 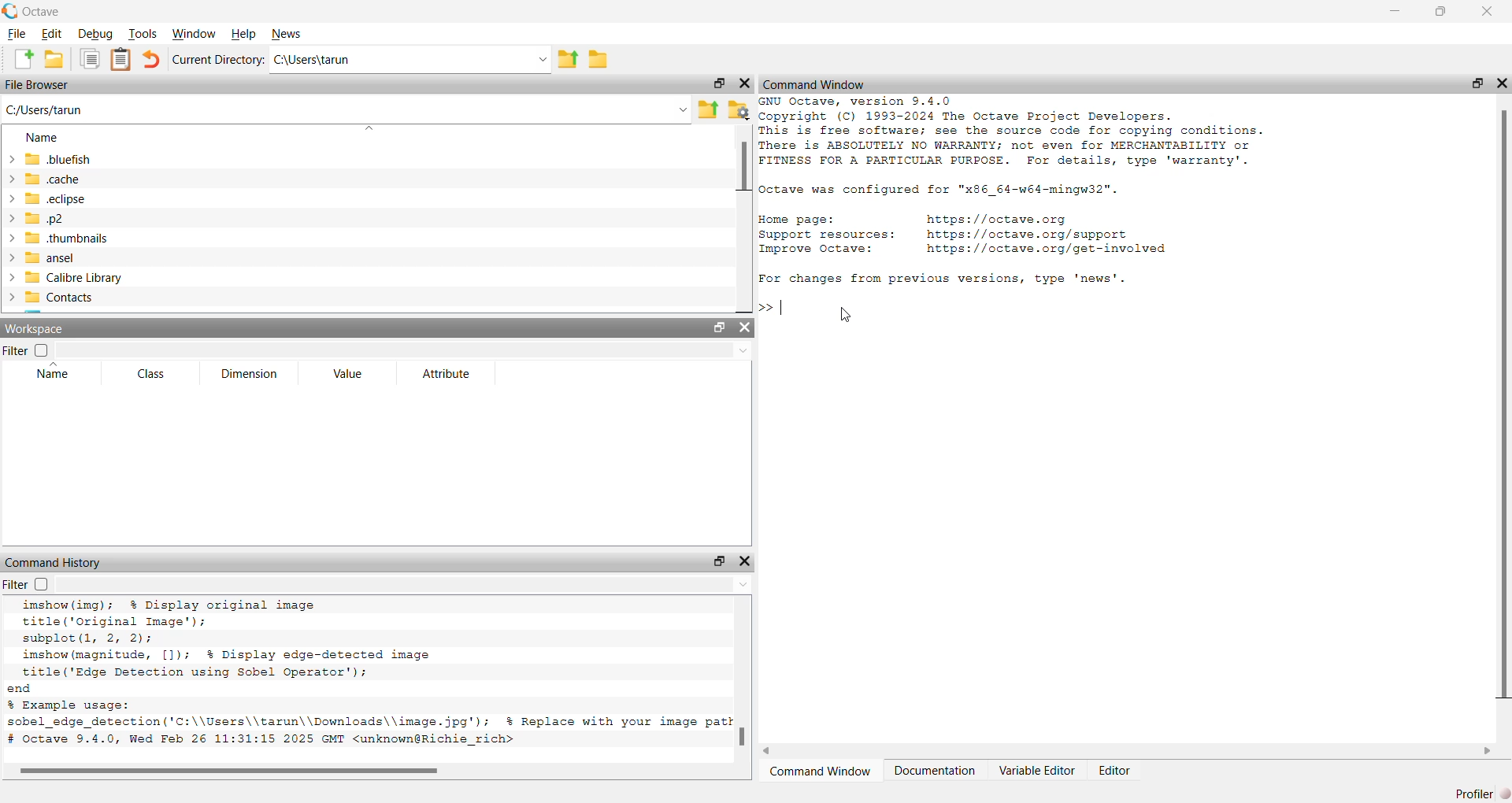 I want to click on close, so click(x=1488, y=9).